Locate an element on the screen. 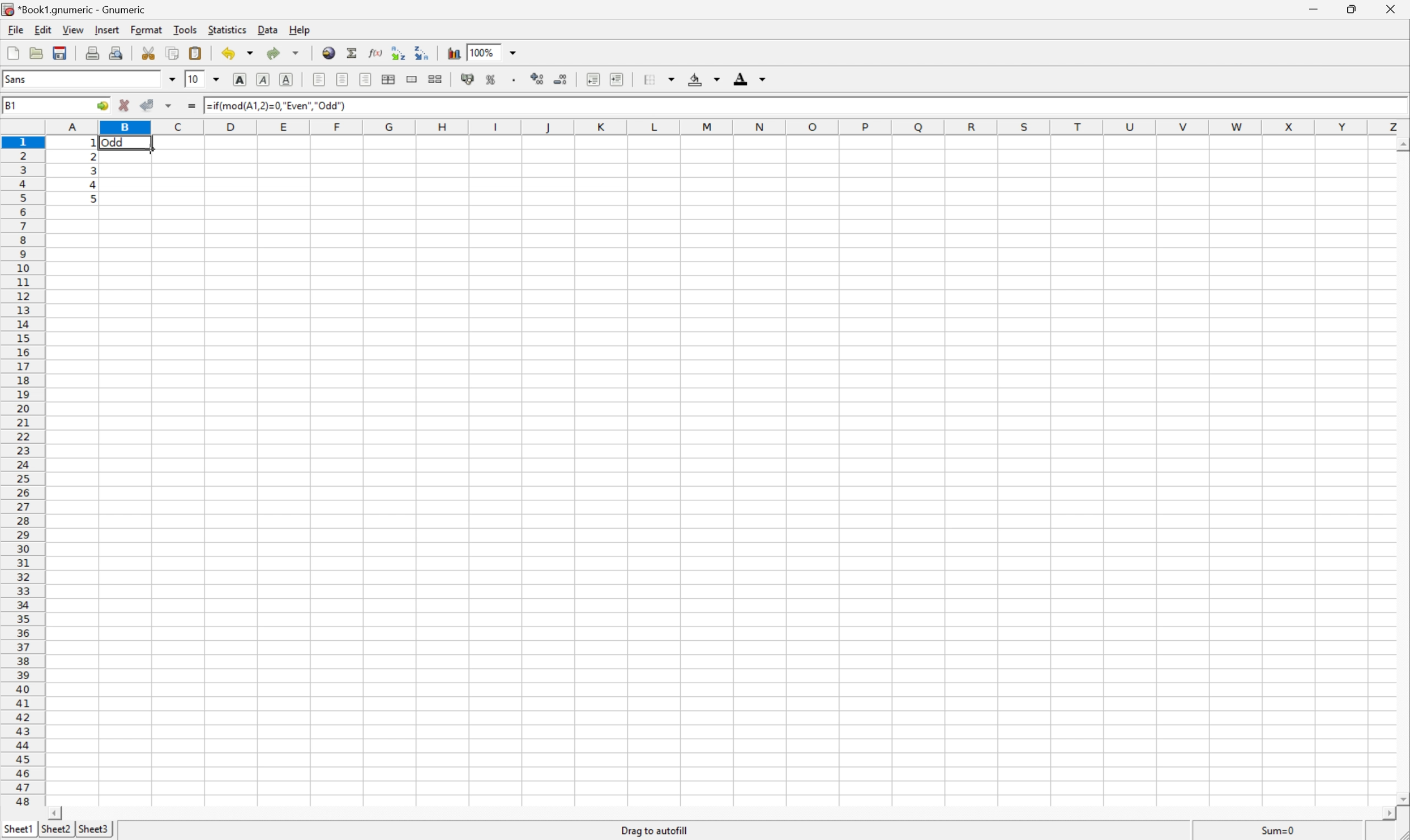 This screenshot has width=1410, height=840. Decrease the decimals displayed is located at coordinates (562, 78).